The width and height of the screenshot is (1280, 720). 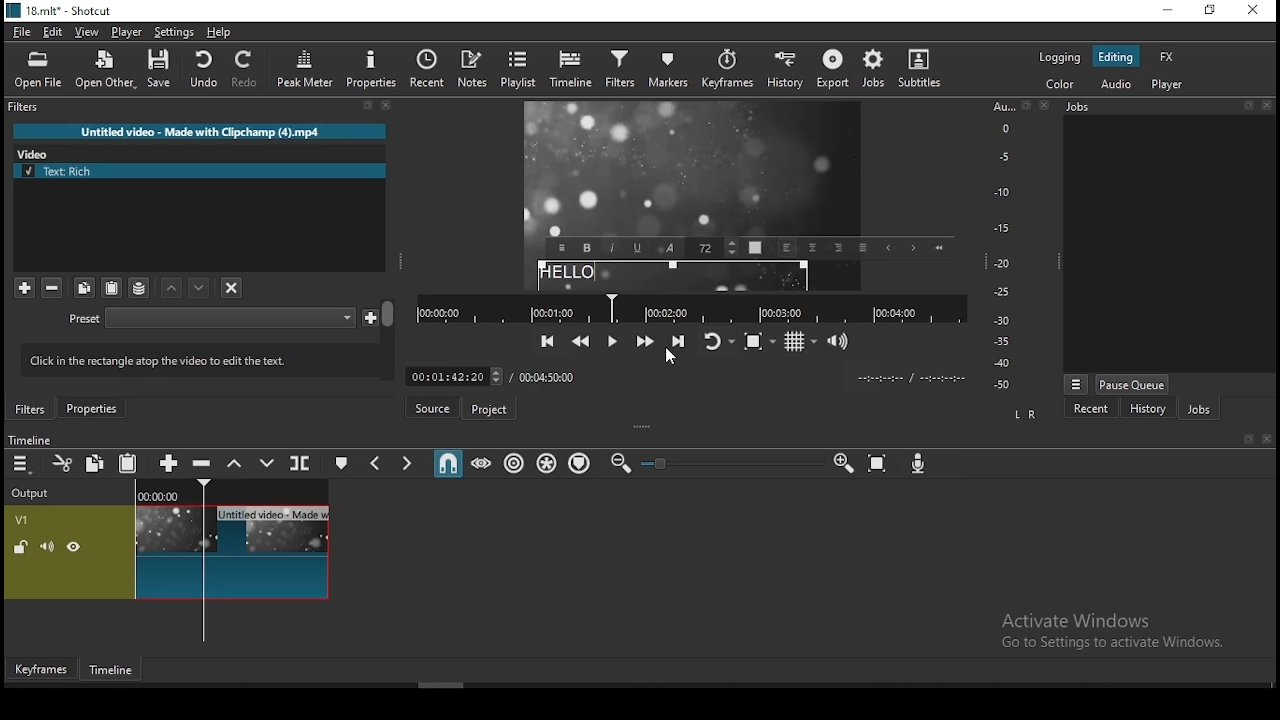 I want to click on Menu, so click(x=1076, y=384).